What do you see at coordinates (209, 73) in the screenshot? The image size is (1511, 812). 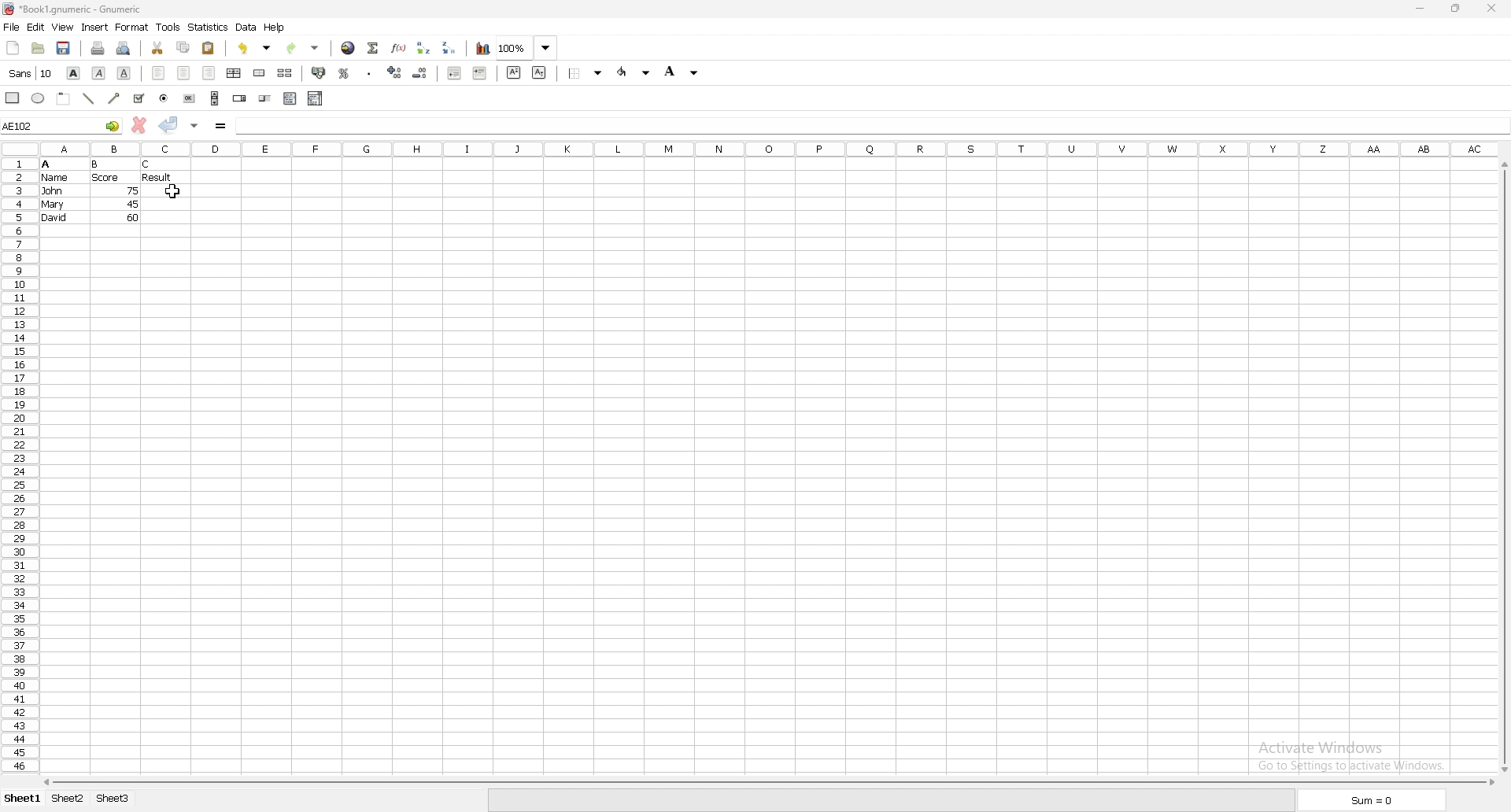 I see `align right` at bounding box center [209, 73].